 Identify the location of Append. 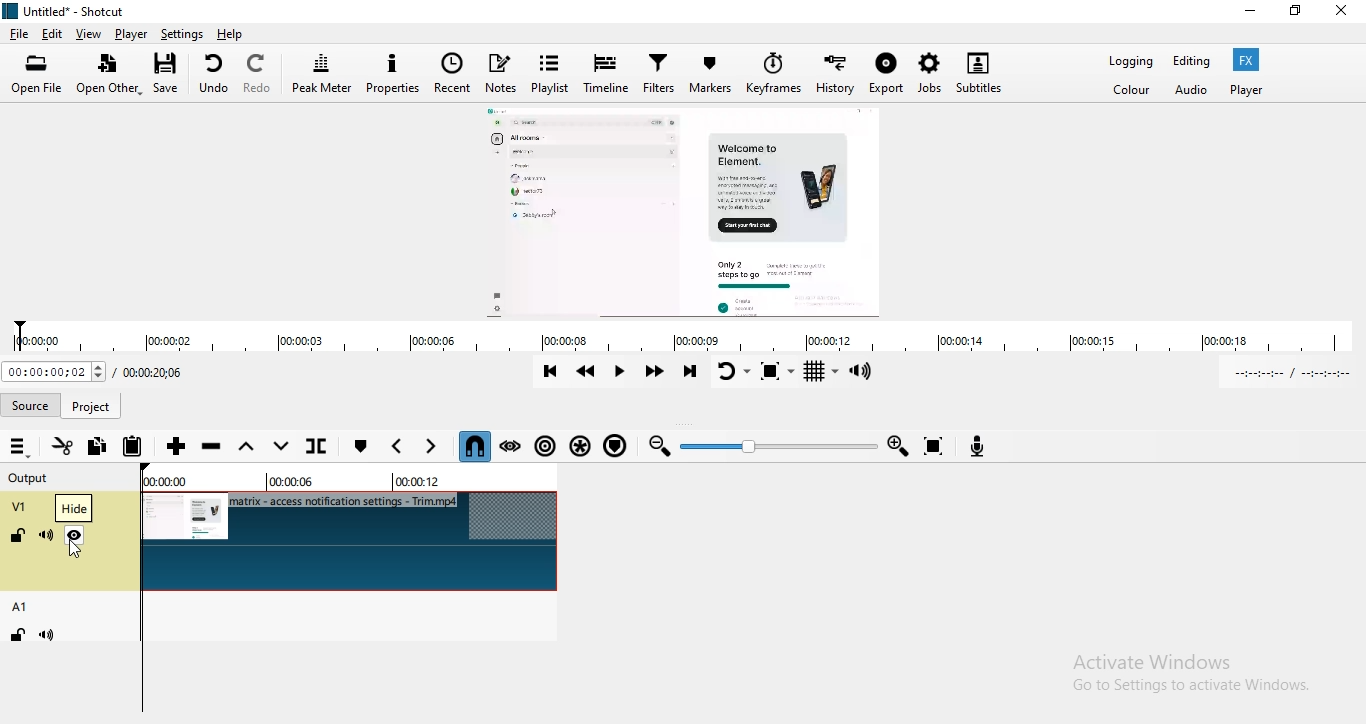
(177, 447).